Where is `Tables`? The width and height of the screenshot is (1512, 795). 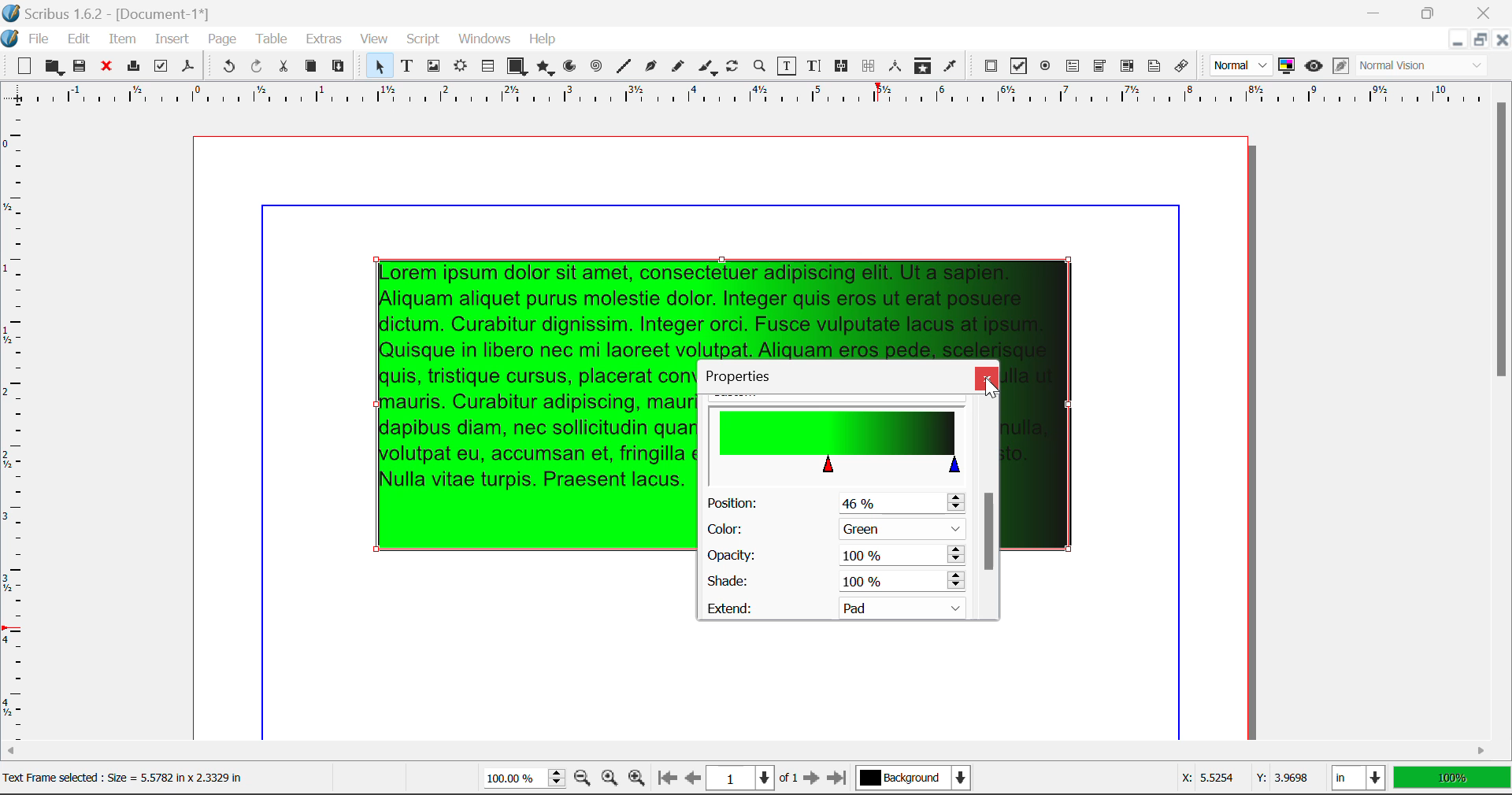 Tables is located at coordinates (487, 68).